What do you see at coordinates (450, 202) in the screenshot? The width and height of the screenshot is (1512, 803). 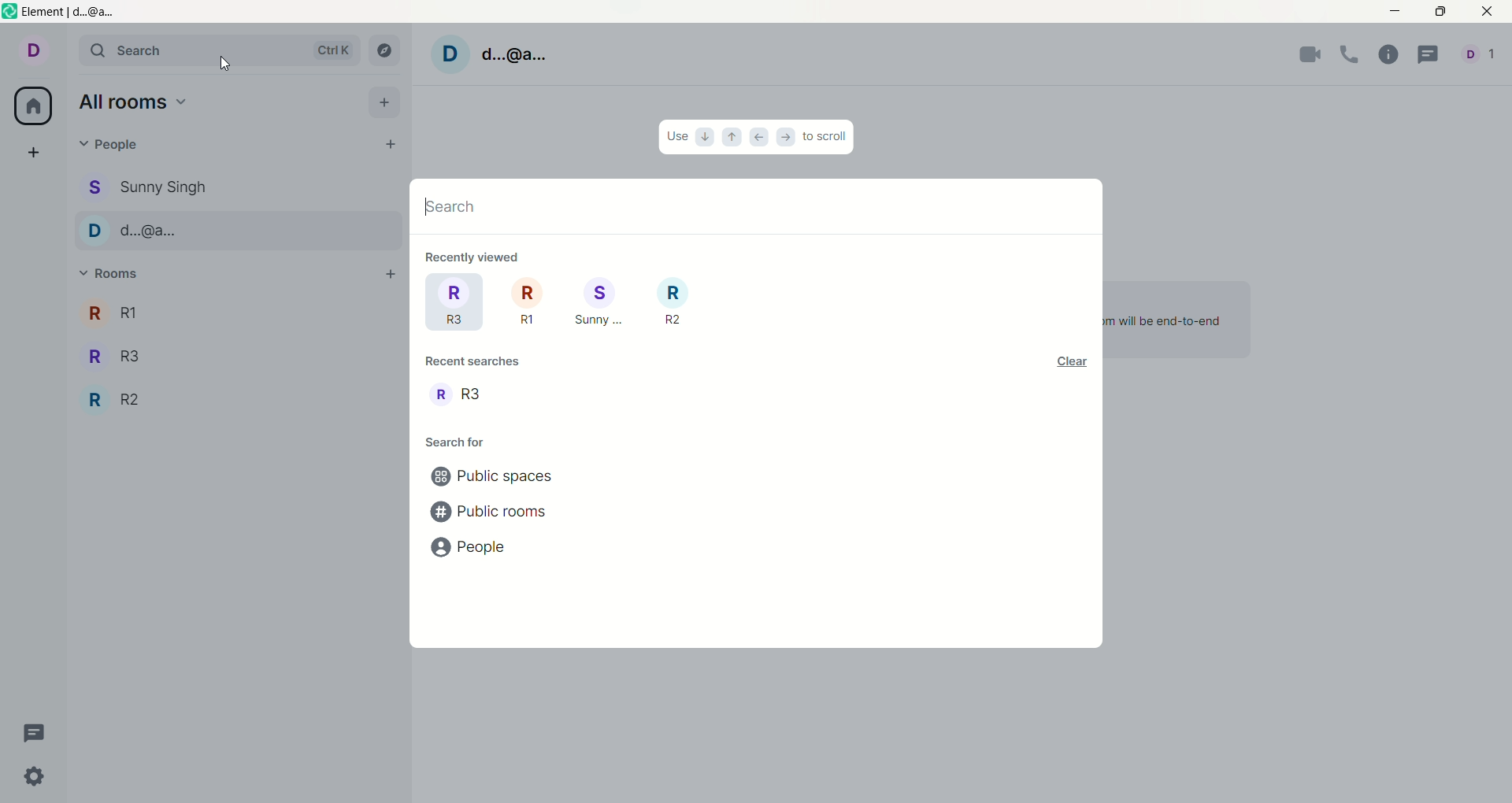 I see `cursor` at bounding box center [450, 202].